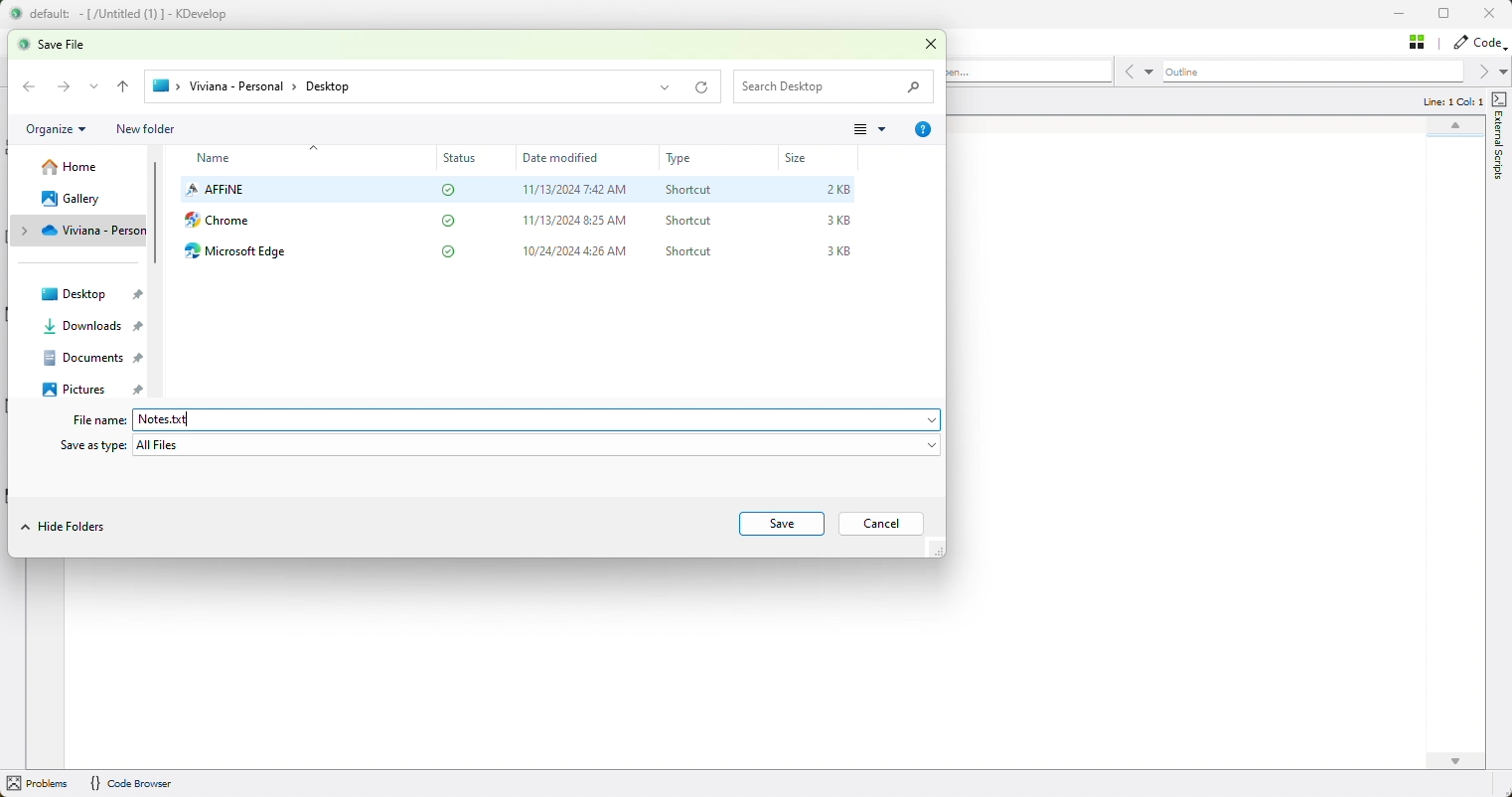 The height and width of the screenshot is (797, 1512). I want to click on date modified, so click(574, 157).